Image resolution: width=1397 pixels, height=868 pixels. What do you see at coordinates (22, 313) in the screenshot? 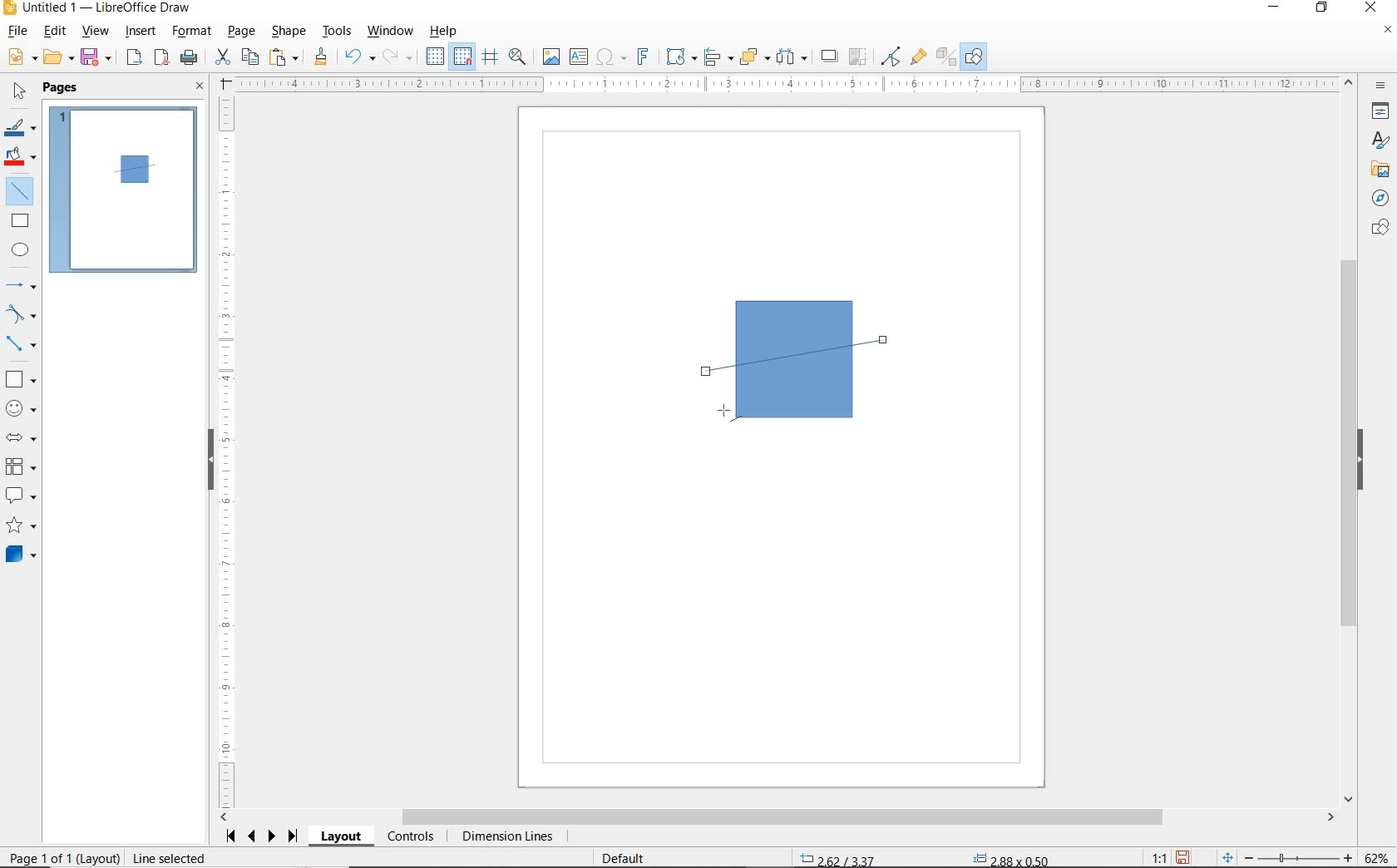
I see `CURVES AND POLYGONS` at bounding box center [22, 313].